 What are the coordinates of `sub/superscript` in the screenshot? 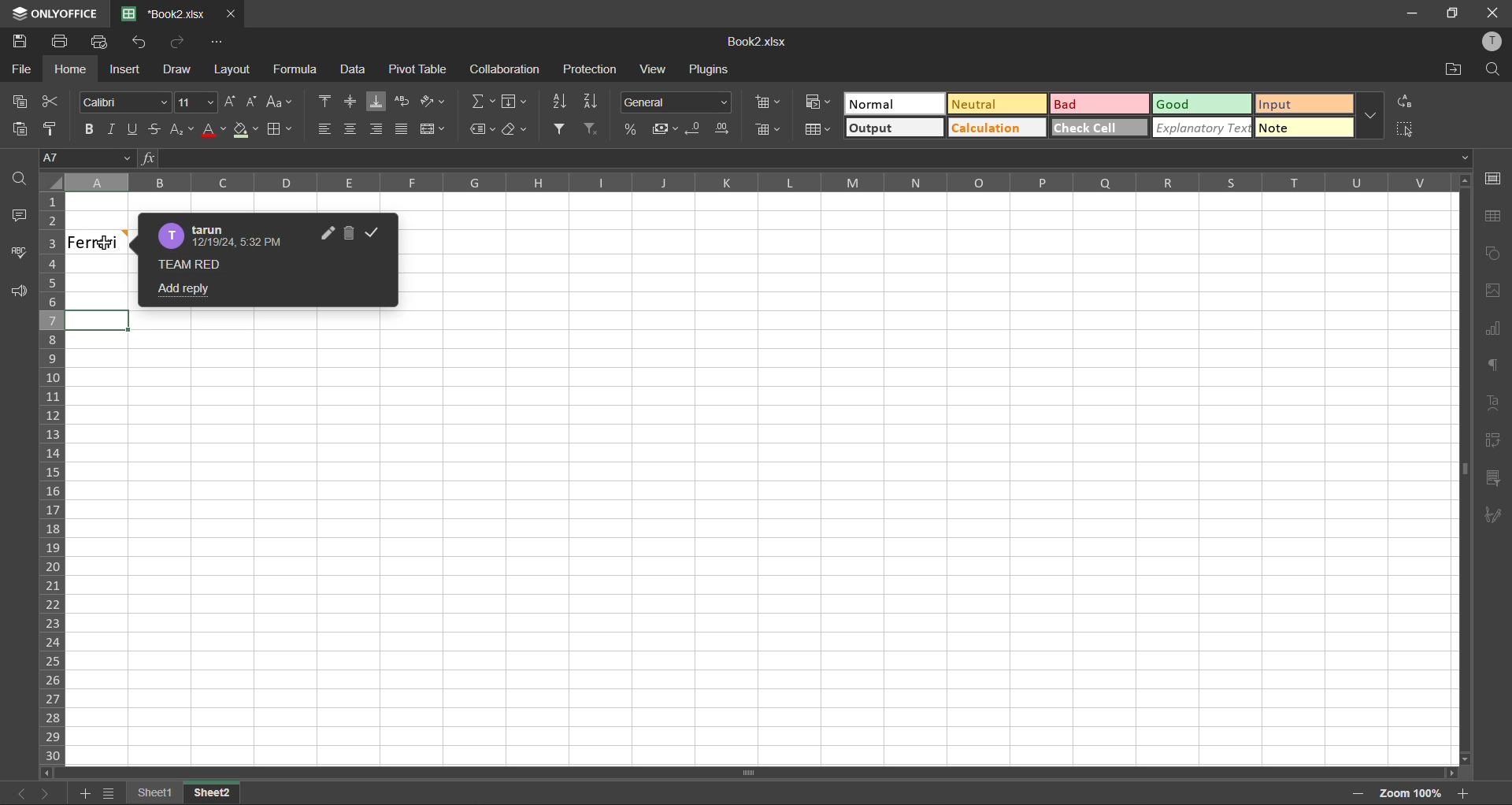 It's located at (179, 129).